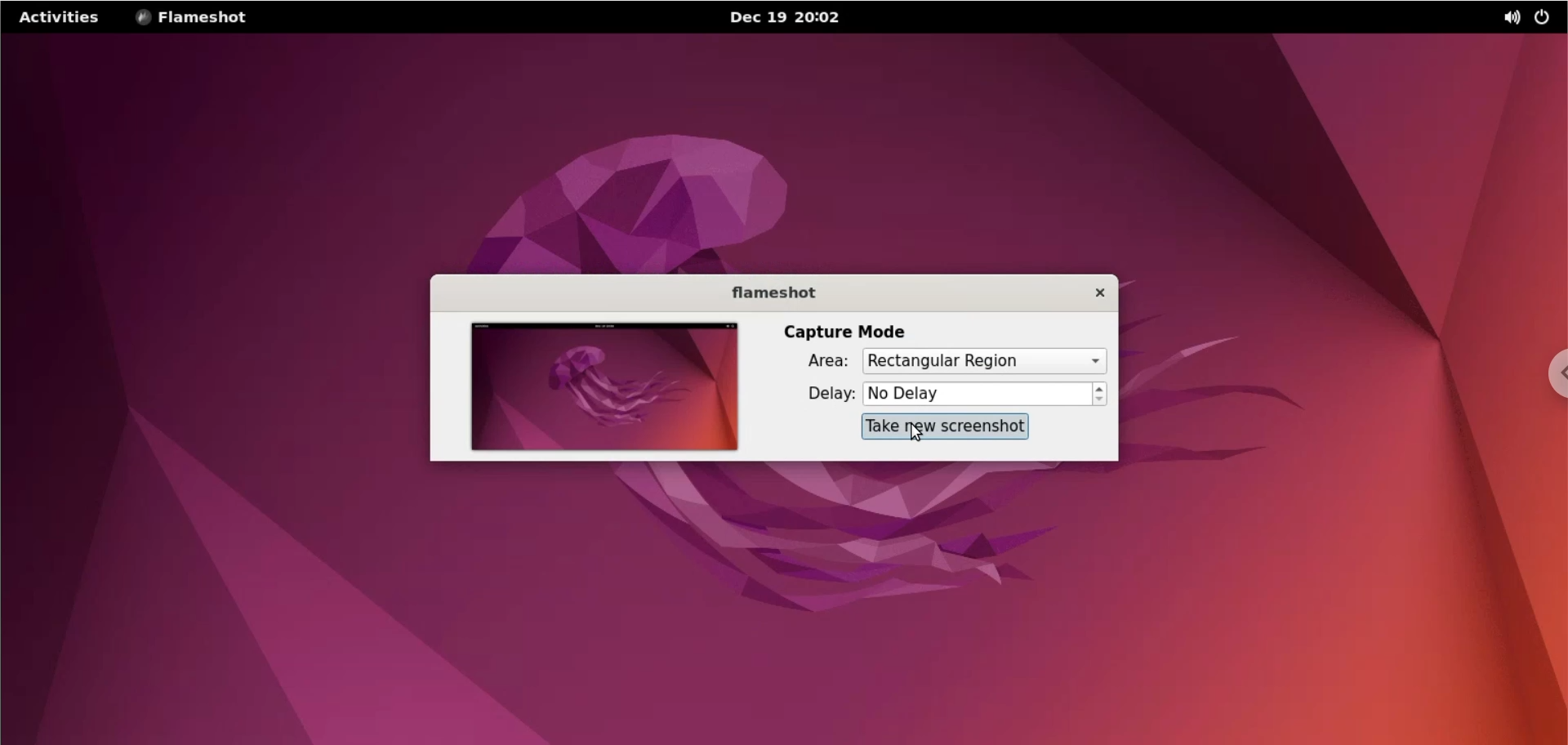  Describe the element at coordinates (592, 386) in the screenshot. I see `screenshot preview ` at that location.